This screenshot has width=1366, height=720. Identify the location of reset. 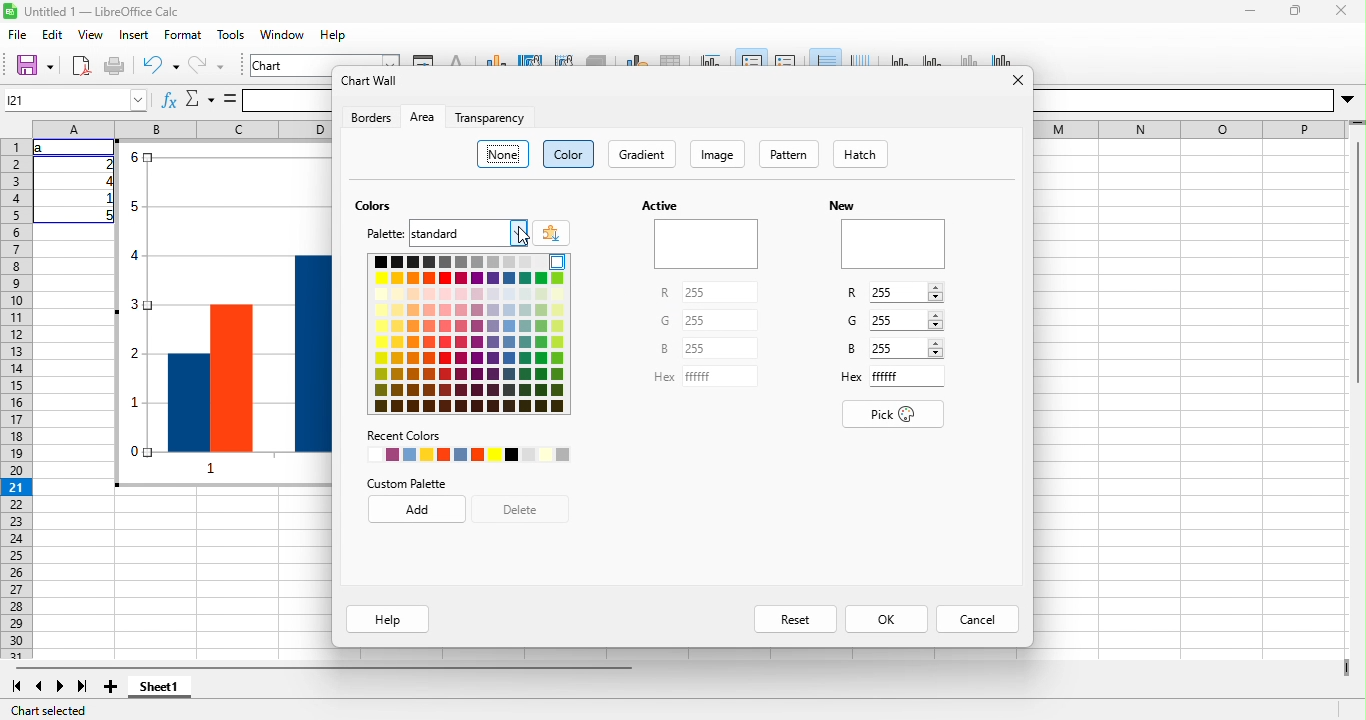
(795, 619).